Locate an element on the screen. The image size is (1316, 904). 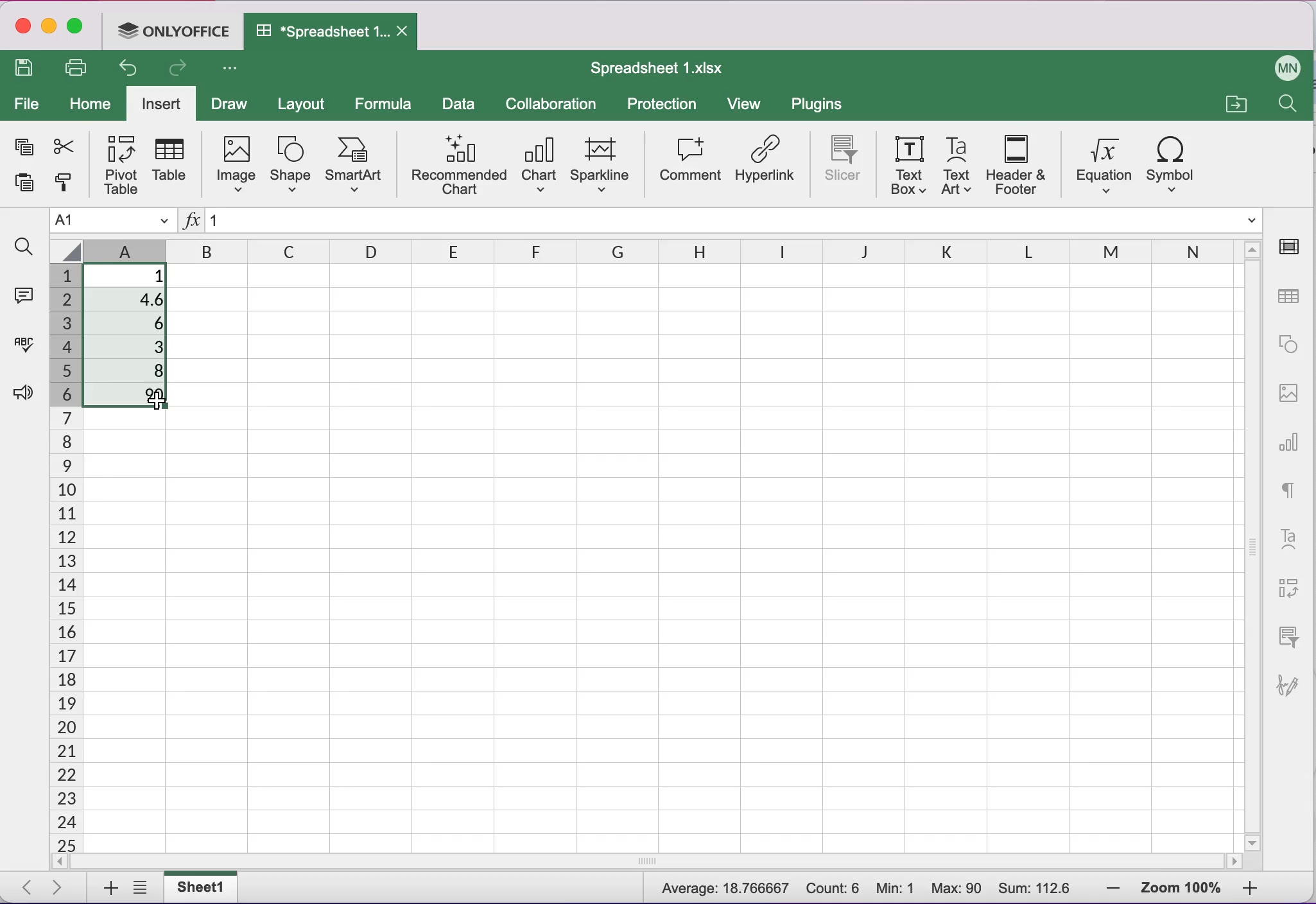
columns is located at coordinates (645, 248).